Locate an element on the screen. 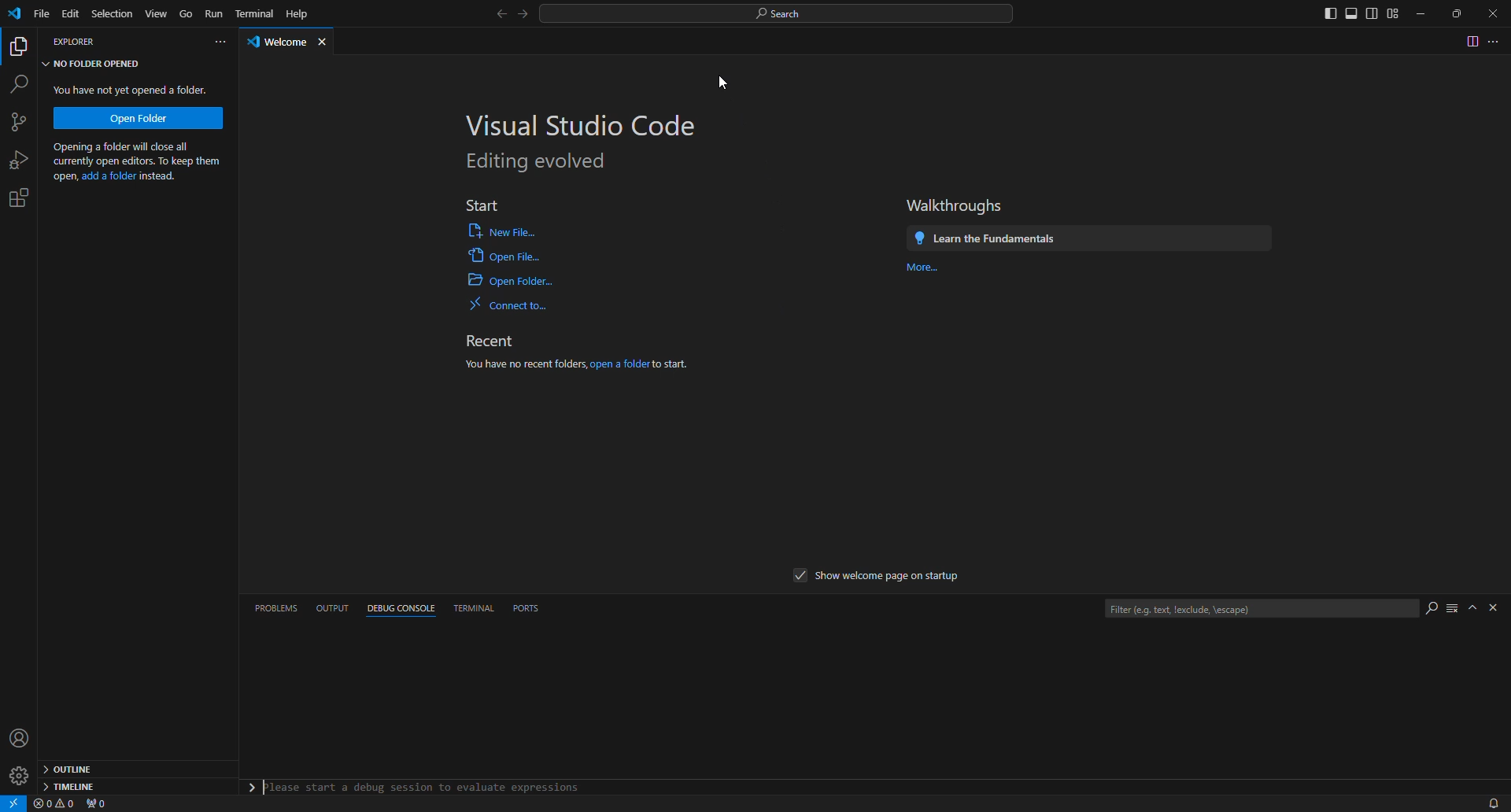 The image size is (1511, 812). ports is located at coordinates (541, 615).